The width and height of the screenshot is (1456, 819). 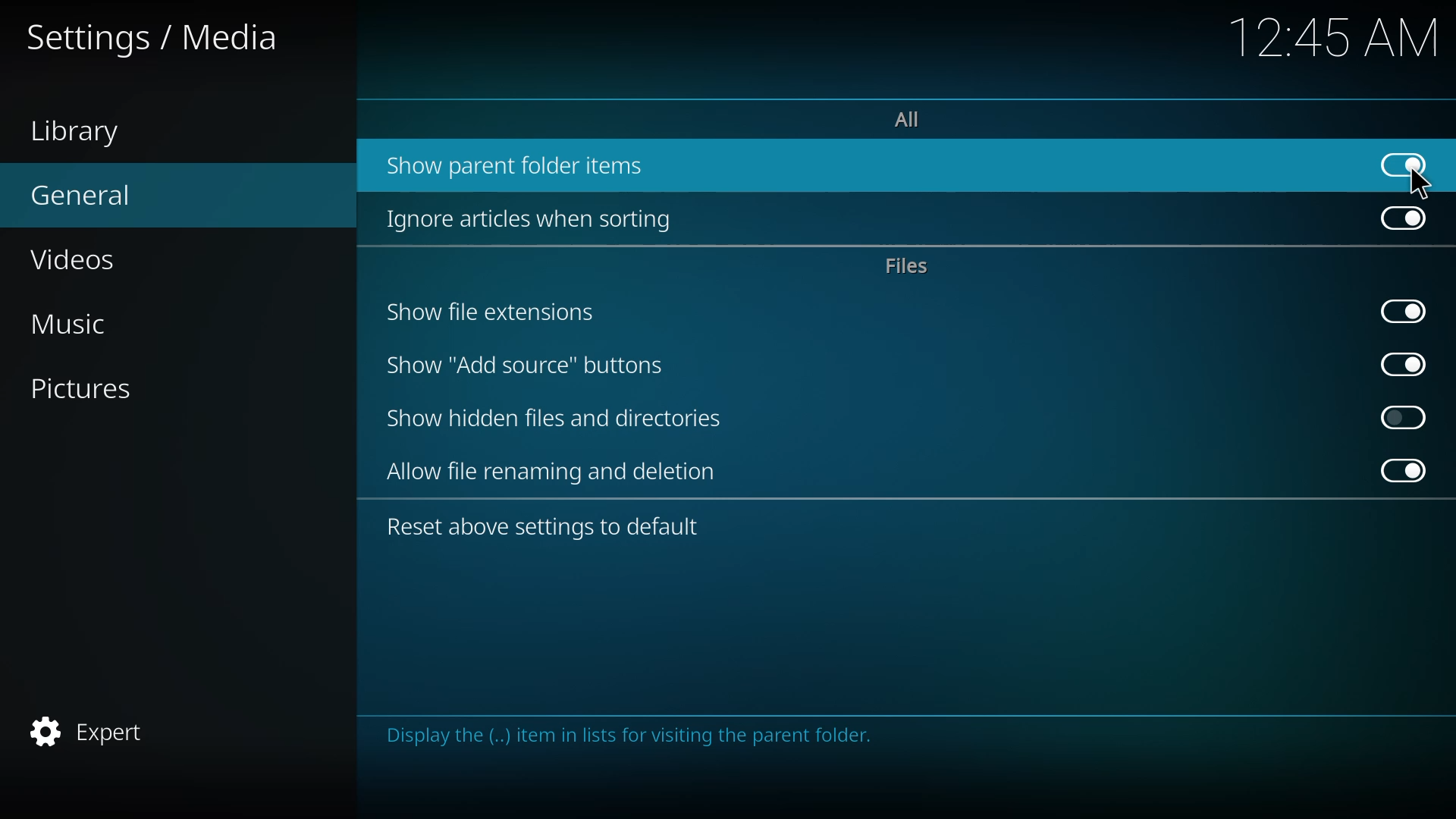 What do you see at coordinates (1402, 309) in the screenshot?
I see `enabled` at bounding box center [1402, 309].